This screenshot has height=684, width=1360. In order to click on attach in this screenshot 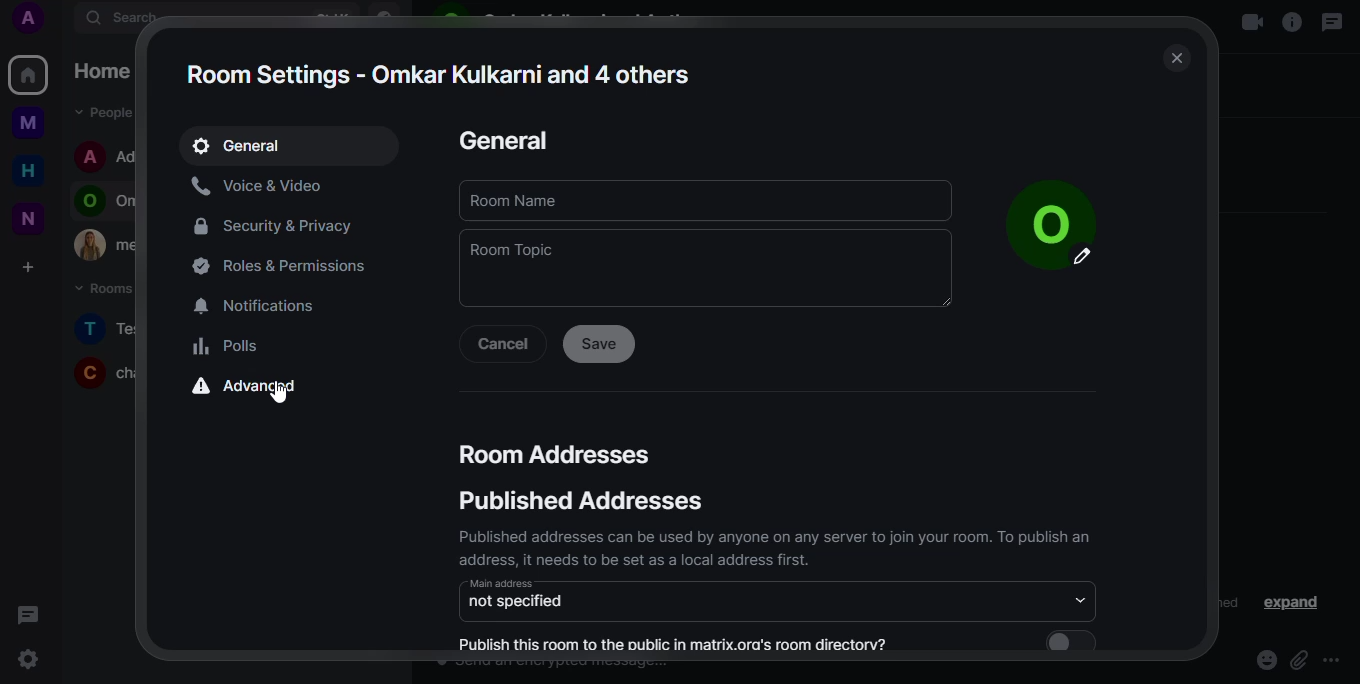, I will do `click(1299, 660)`.